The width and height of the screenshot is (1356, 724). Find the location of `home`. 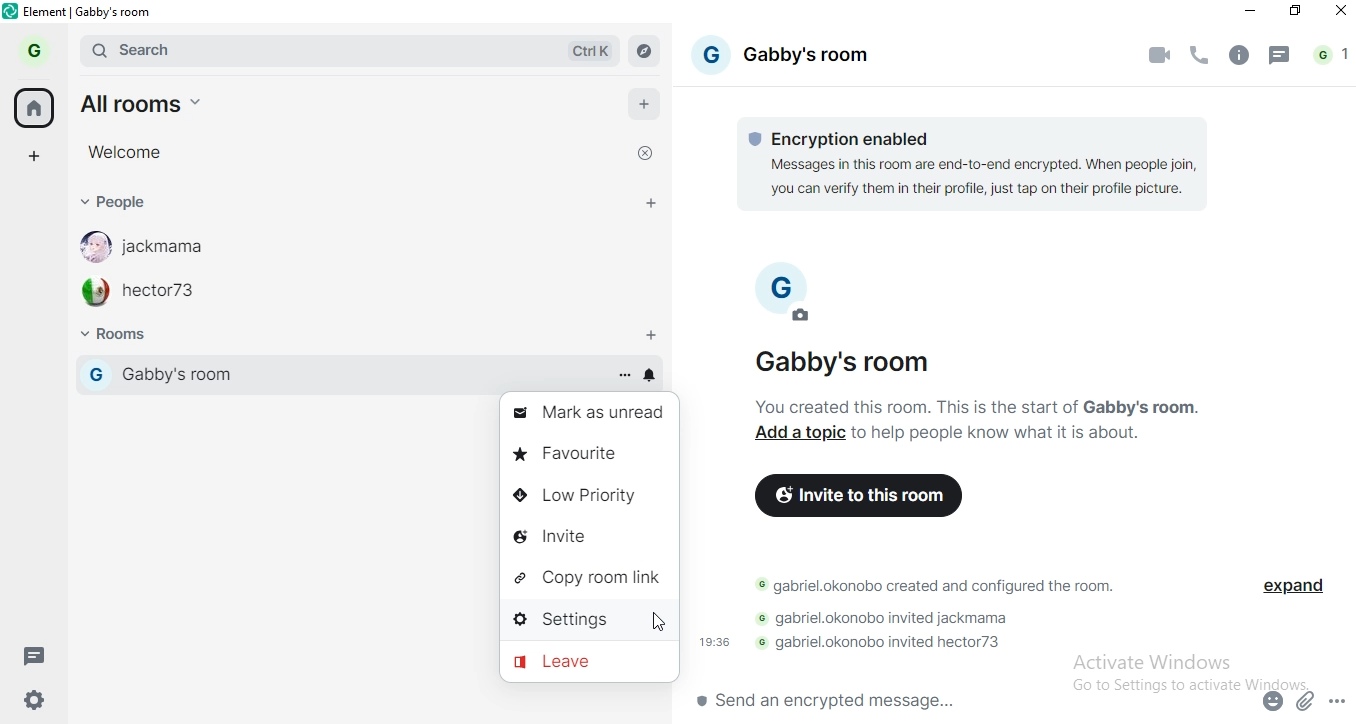

home is located at coordinates (35, 107).